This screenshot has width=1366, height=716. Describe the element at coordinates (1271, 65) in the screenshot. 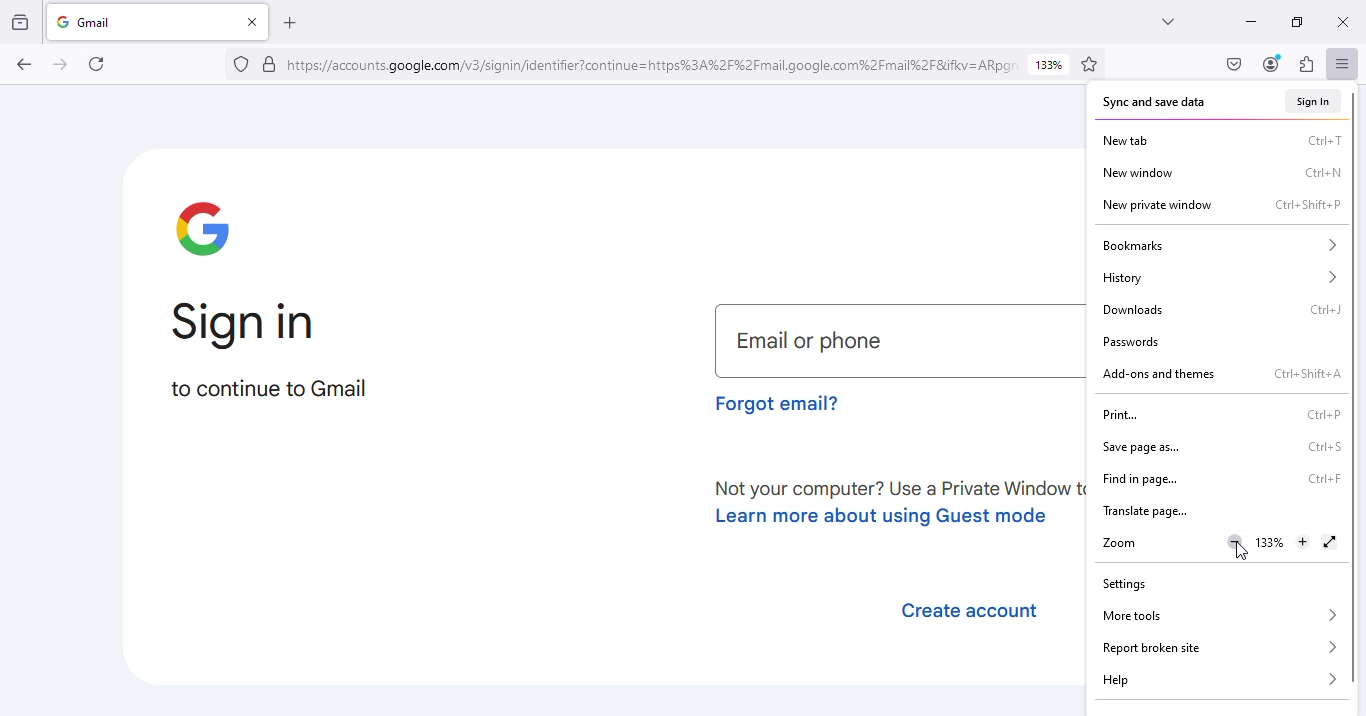

I see `account` at that location.